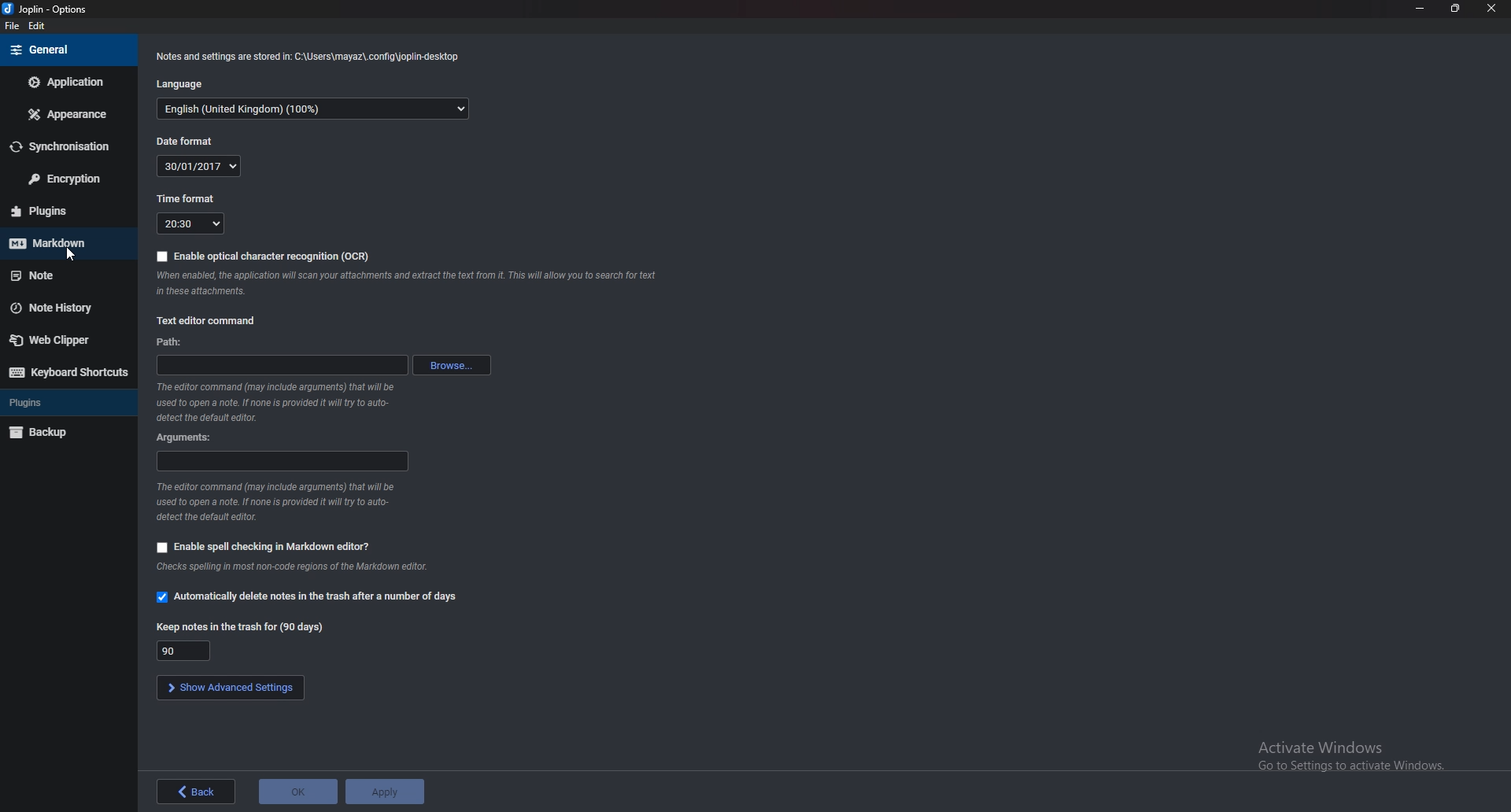 The height and width of the screenshot is (812, 1511). What do you see at coordinates (405, 282) in the screenshot?
I see `` at bounding box center [405, 282].